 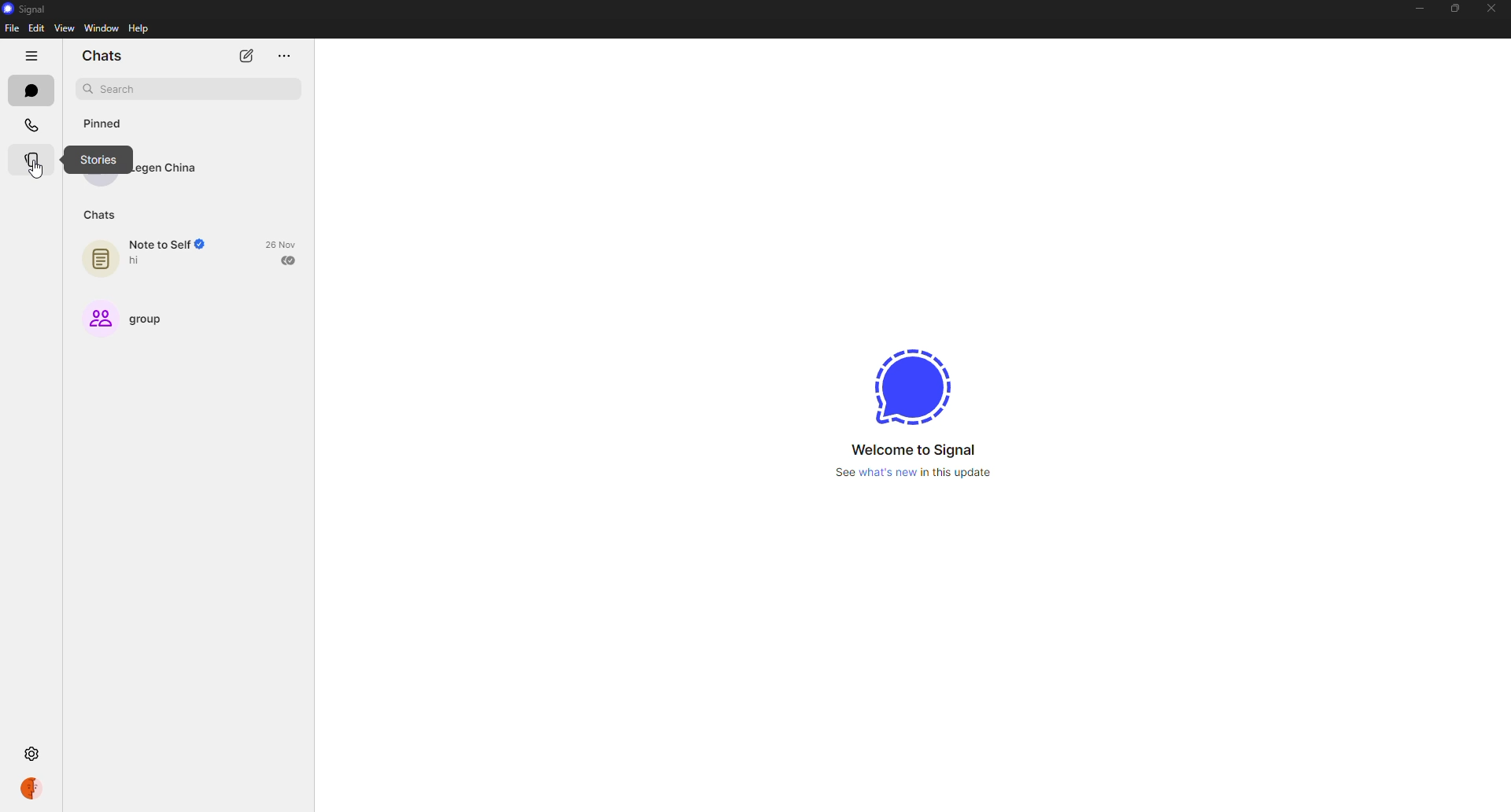 I want to click on group, so click(x=130, y=318).